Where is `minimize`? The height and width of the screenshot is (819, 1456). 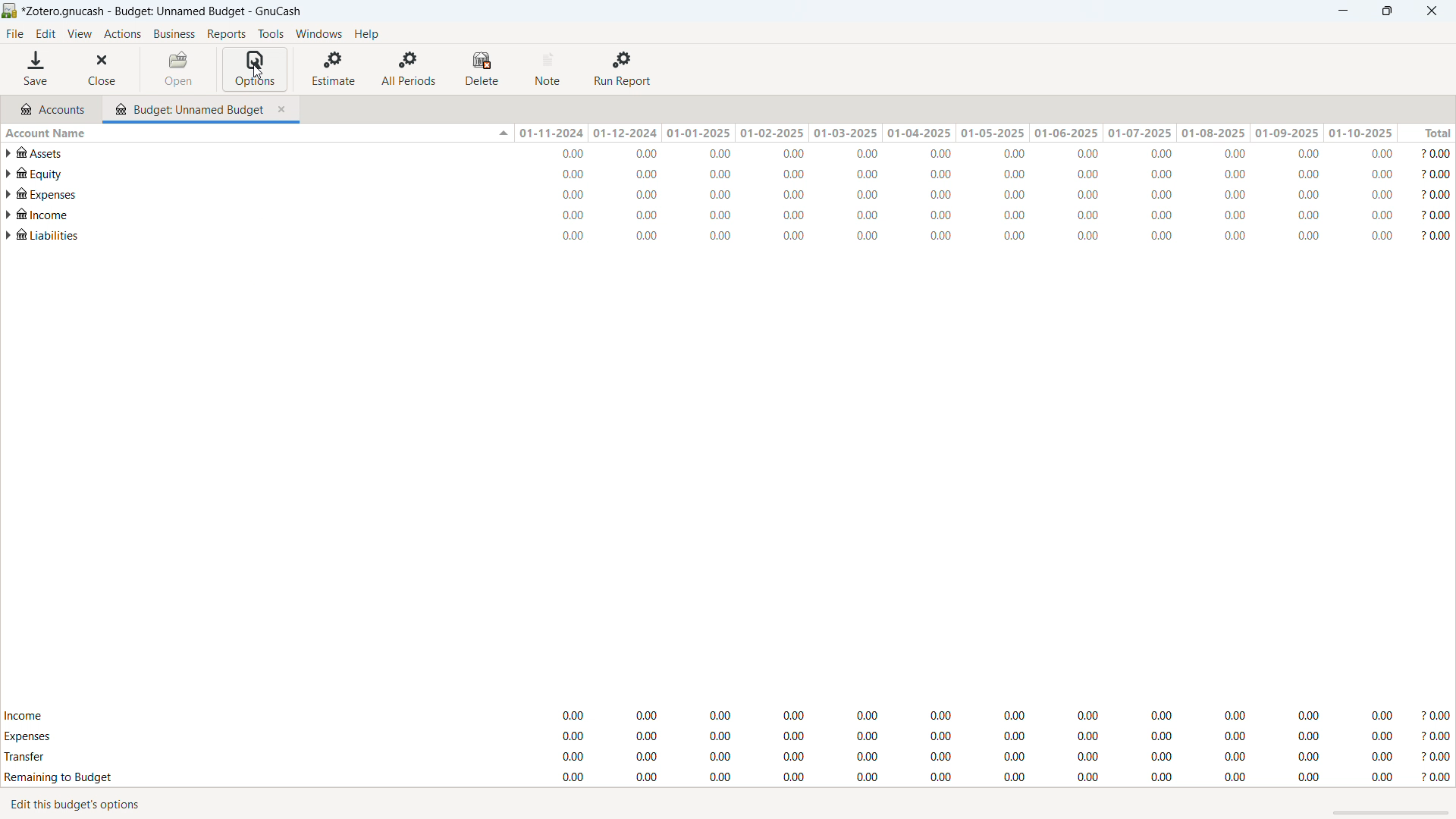
minimize is located at coordinates (1341, 11).